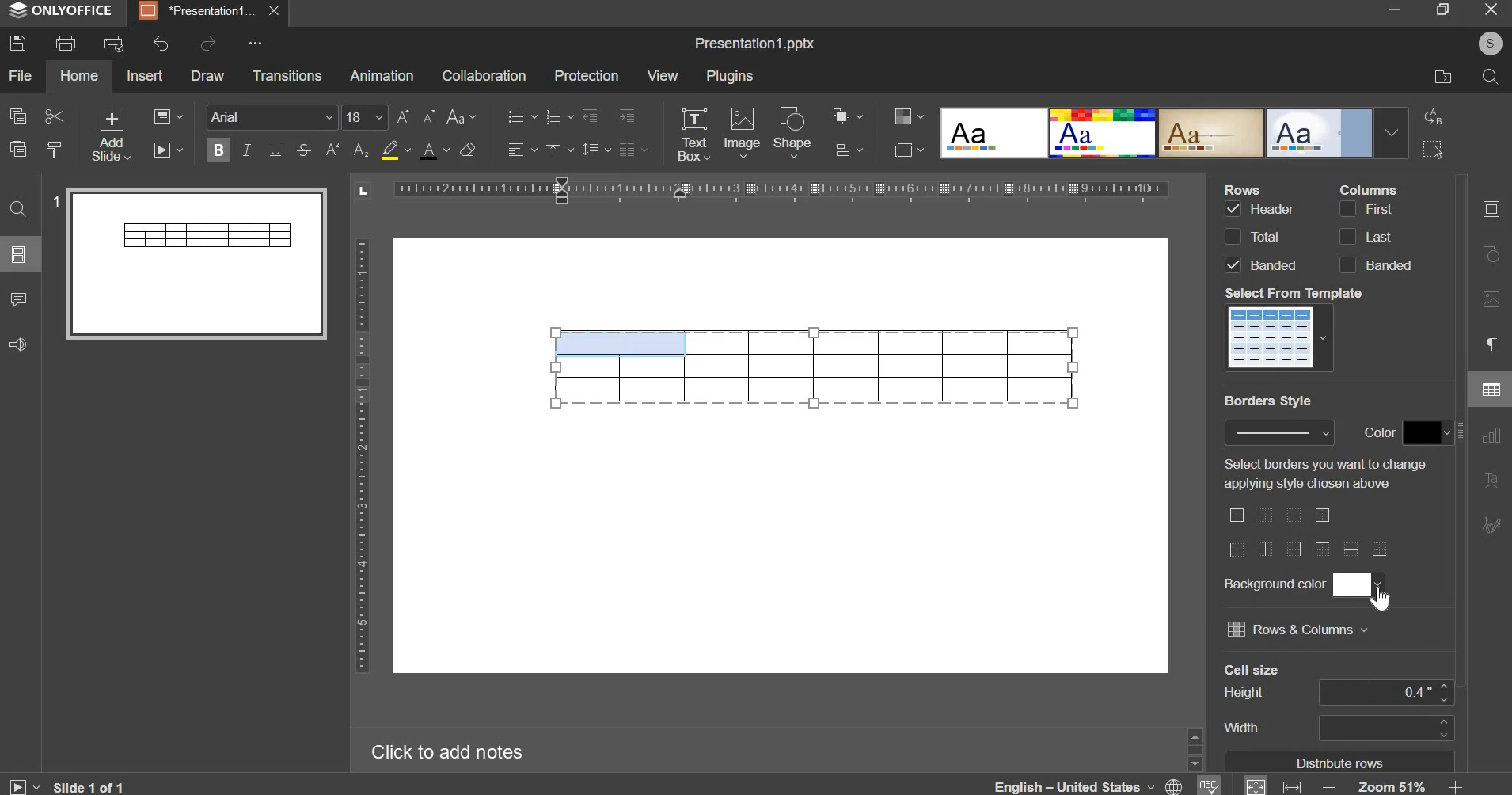  What do you see at coordinates (908, 149) in the screenshot?
I see `slide size` at bounding box center [908, 149].